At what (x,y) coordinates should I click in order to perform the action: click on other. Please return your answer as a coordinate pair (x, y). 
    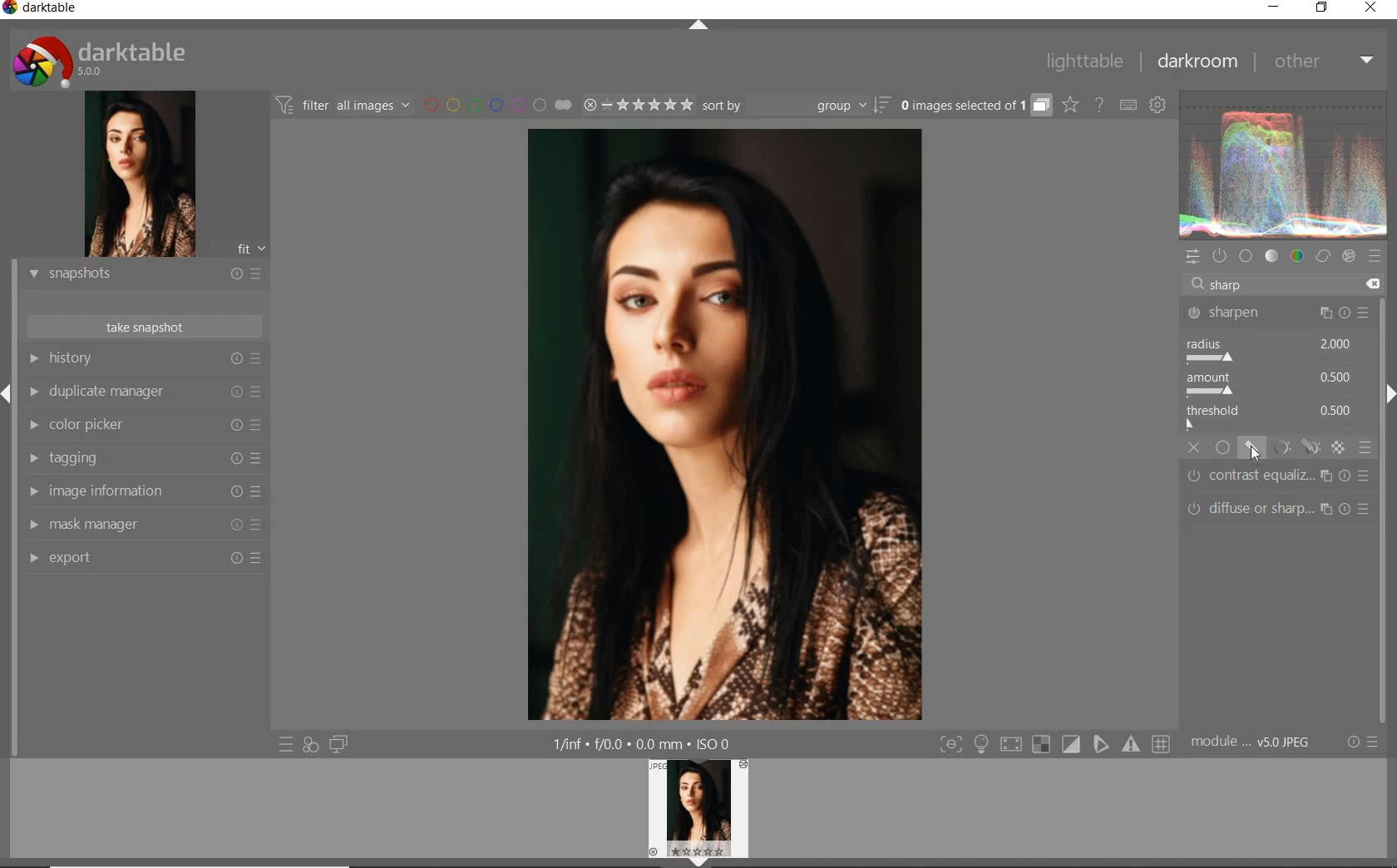
    Looking at the image, I should click on (1320, 62).